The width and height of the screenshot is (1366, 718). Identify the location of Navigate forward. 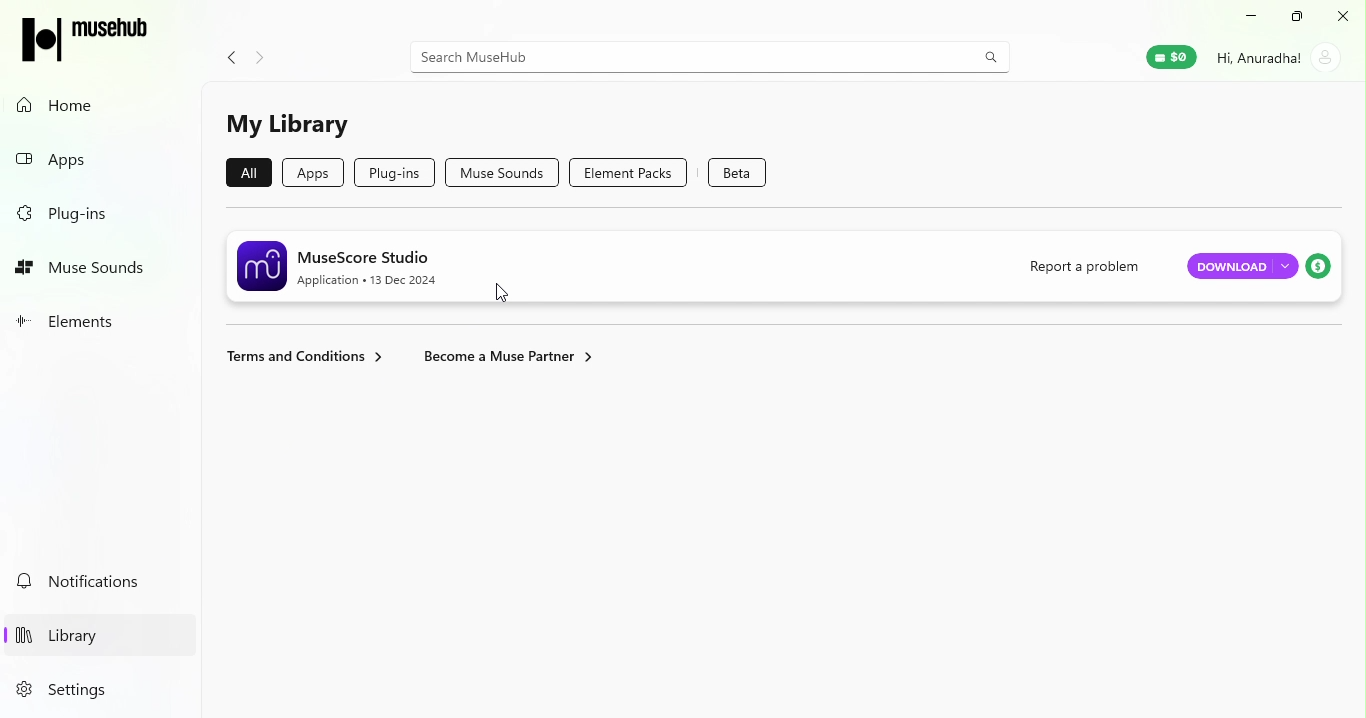
(264, 53).